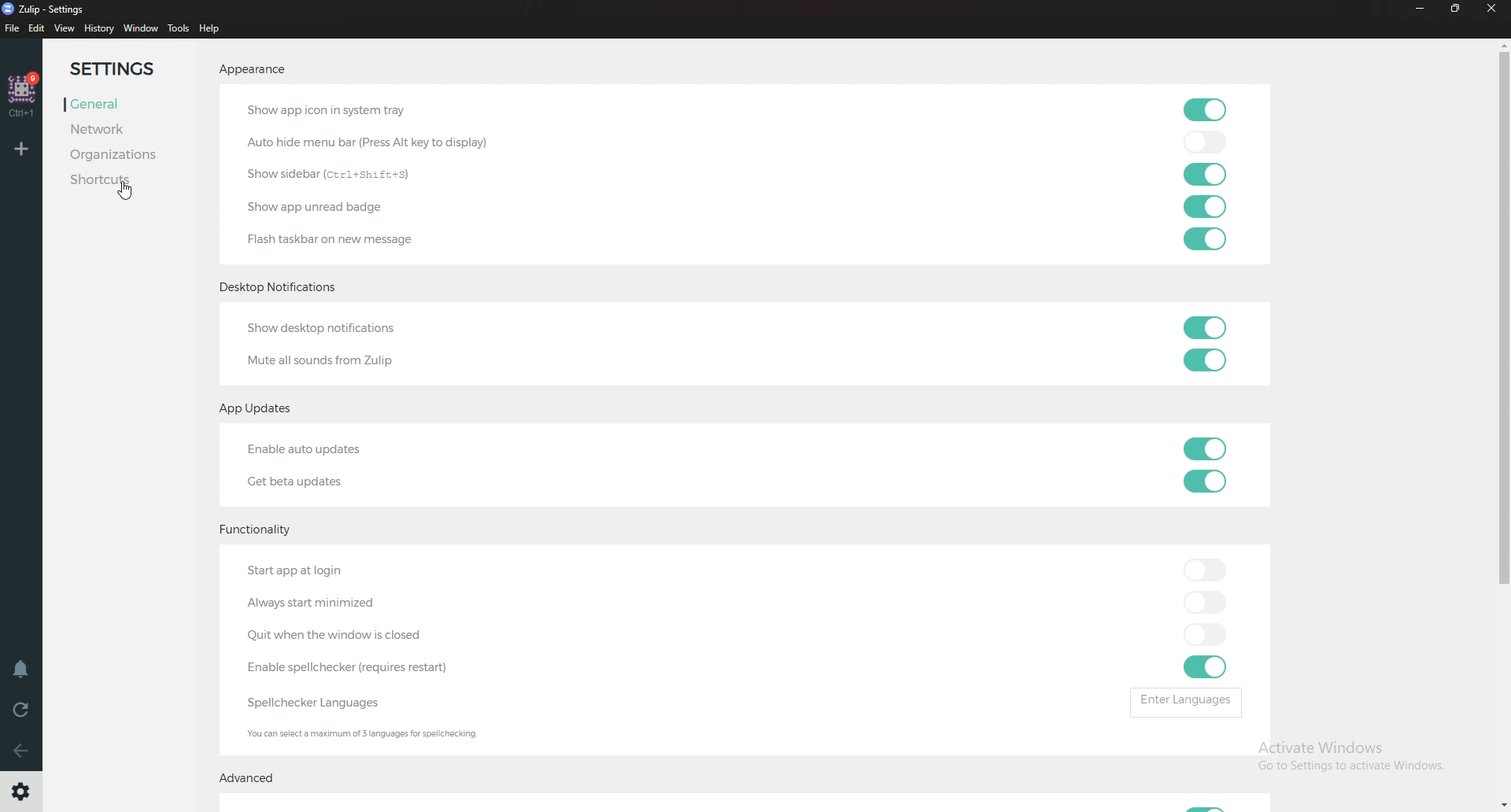 The image size is (1511, 812). I want to click on Enable auto updates, so click(329, 445).